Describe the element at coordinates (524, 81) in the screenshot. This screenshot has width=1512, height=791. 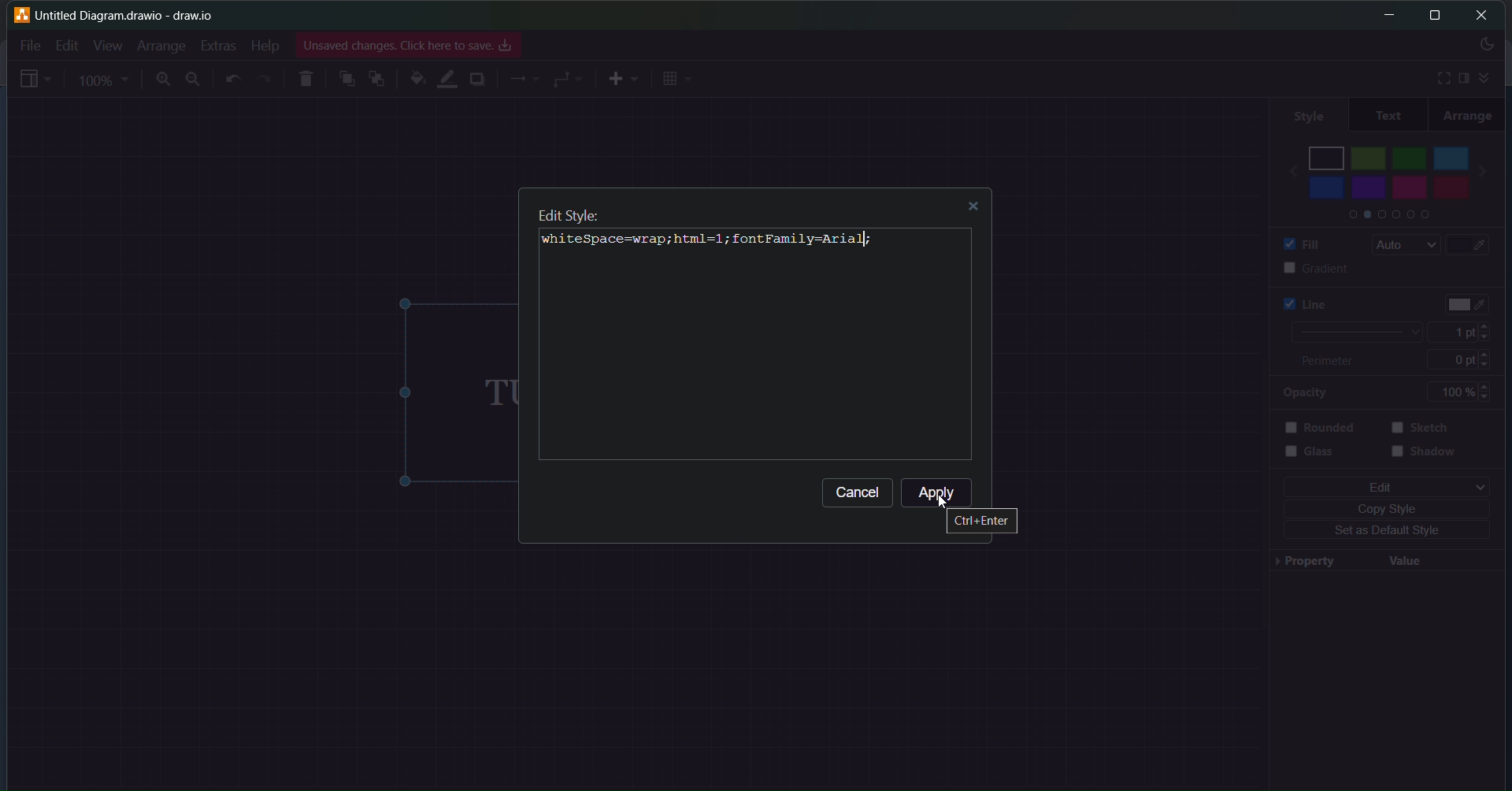
I see `lines` at that location.